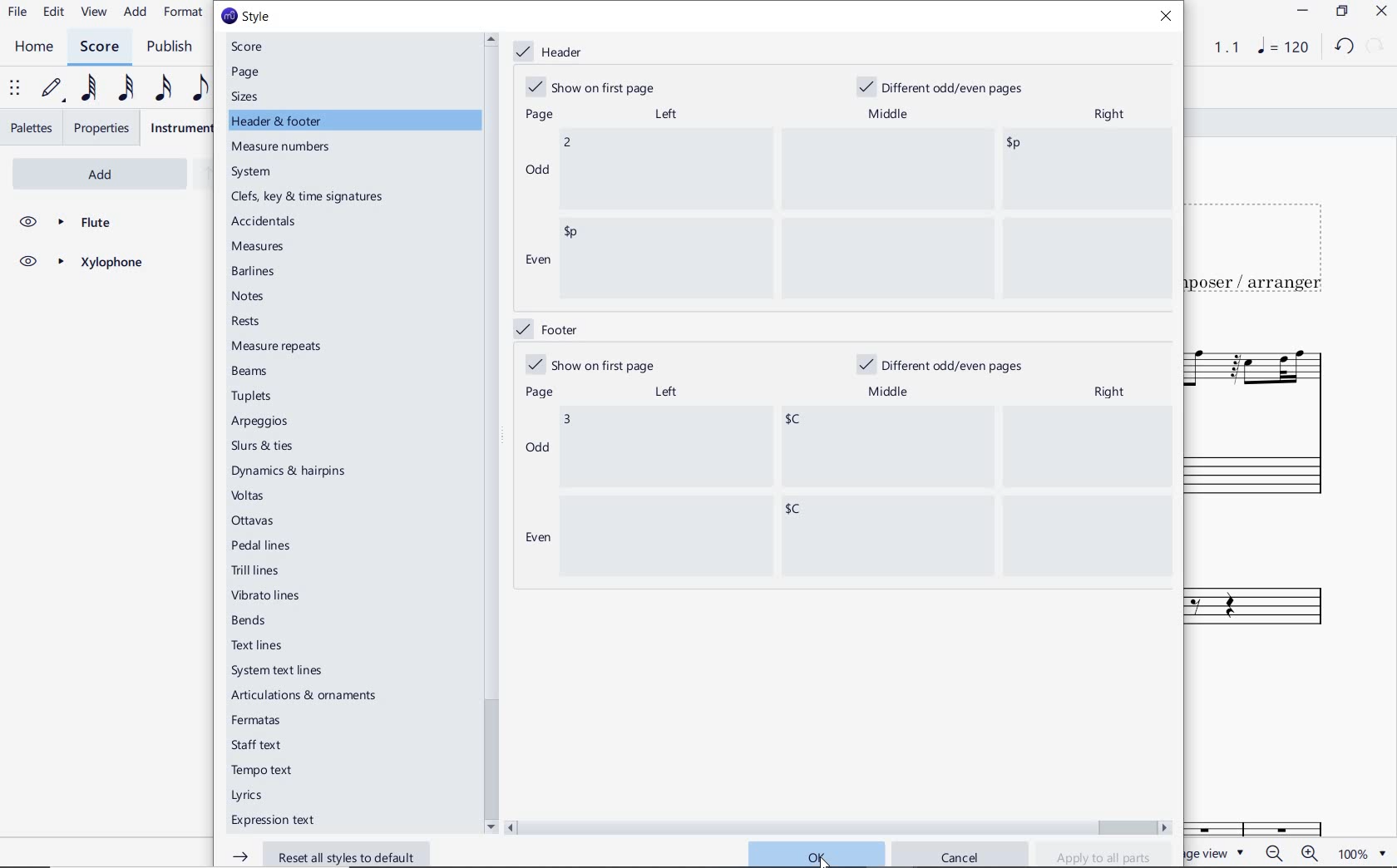 Image resolution: width=1397 pixels, height=868 pixels. I want to click on fermatas, so click(254, 721).